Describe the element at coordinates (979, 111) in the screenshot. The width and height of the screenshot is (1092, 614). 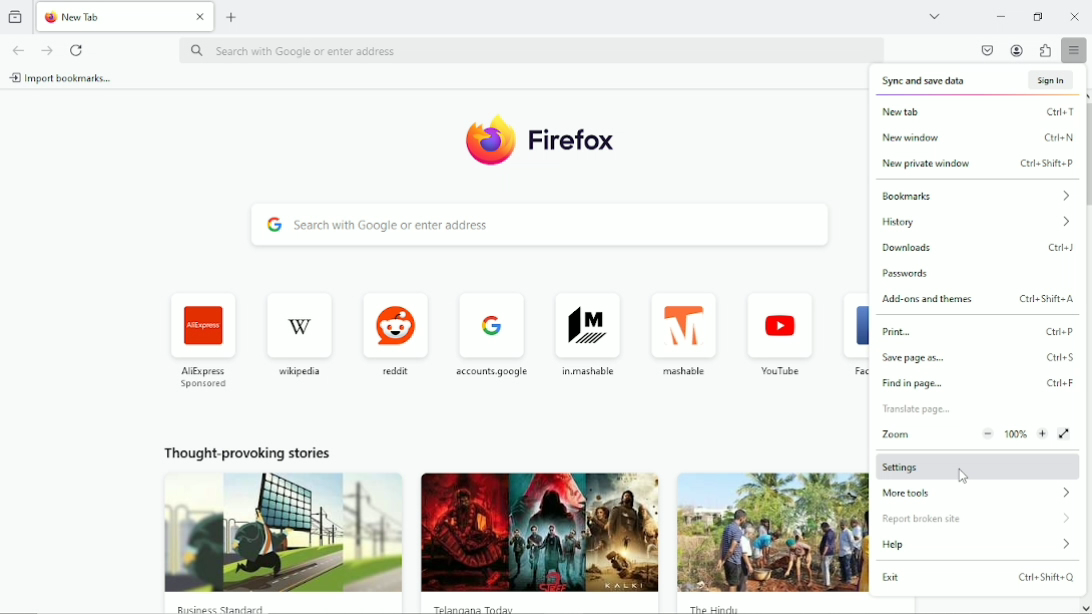
I see `new tab` at that location.